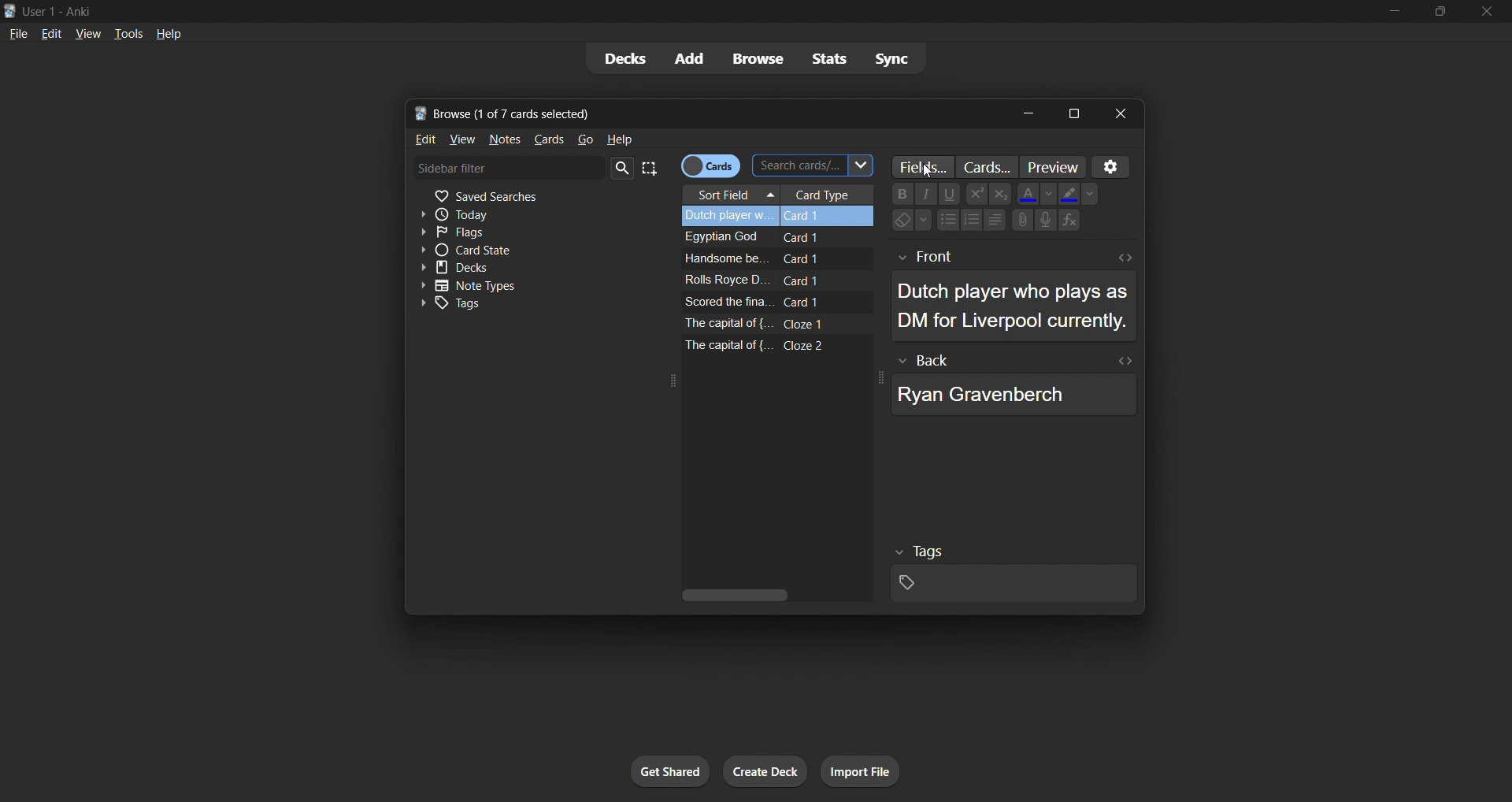  What do you see at coordinates (970, 220) in the screenshot?
I see `Numbering` at bounding box center [970, 220].